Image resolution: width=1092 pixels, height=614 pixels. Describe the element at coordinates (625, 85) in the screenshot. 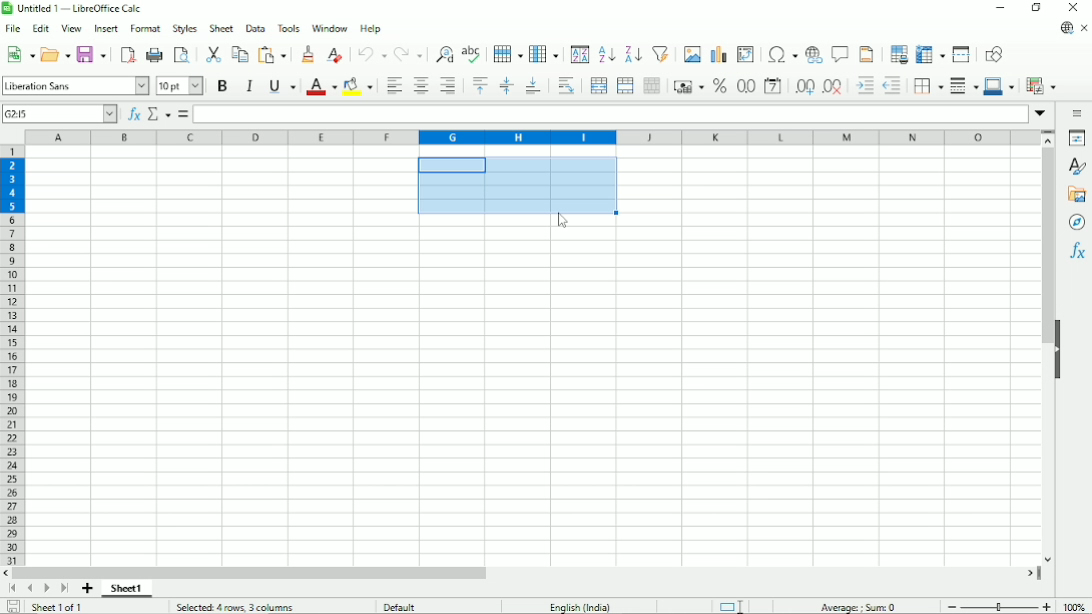

I see `Merge cells` at that location.